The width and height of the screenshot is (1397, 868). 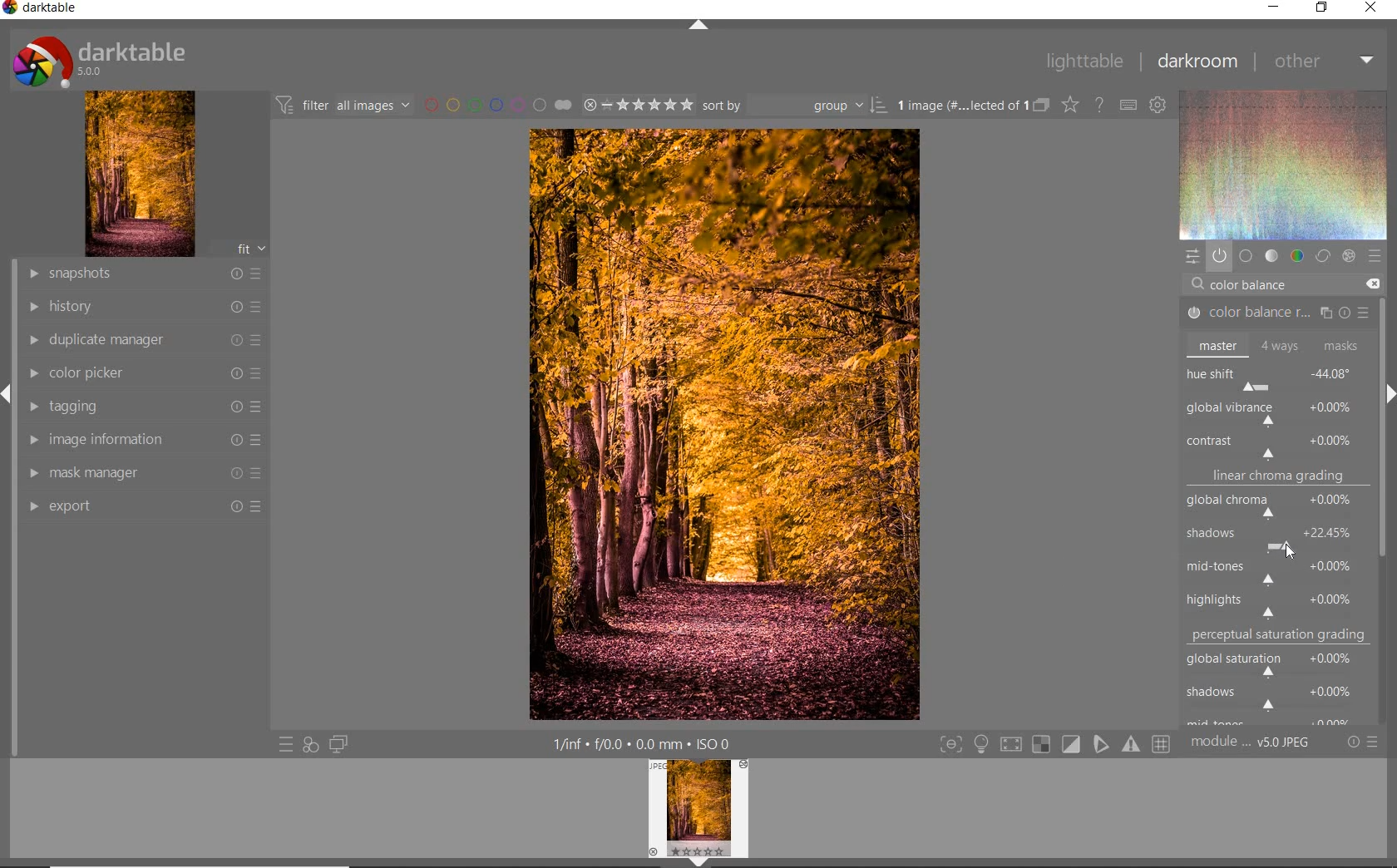 What do you see at coordinates (285, 742) in the screenshot?
I see `quick access to preset` at bounding box center [285, 742].